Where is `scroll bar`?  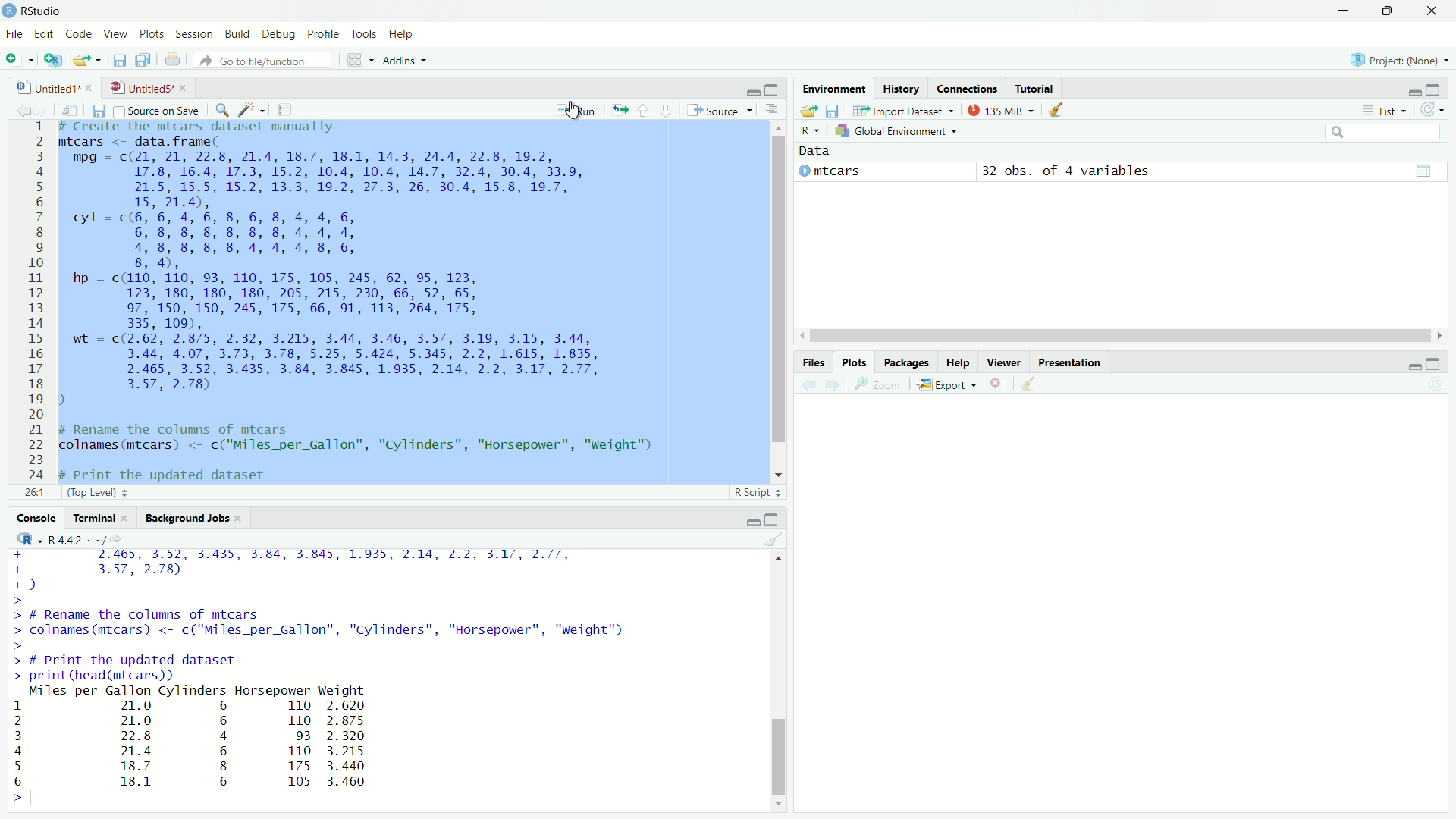
scroll bar is located at coordinates (1119, 331).